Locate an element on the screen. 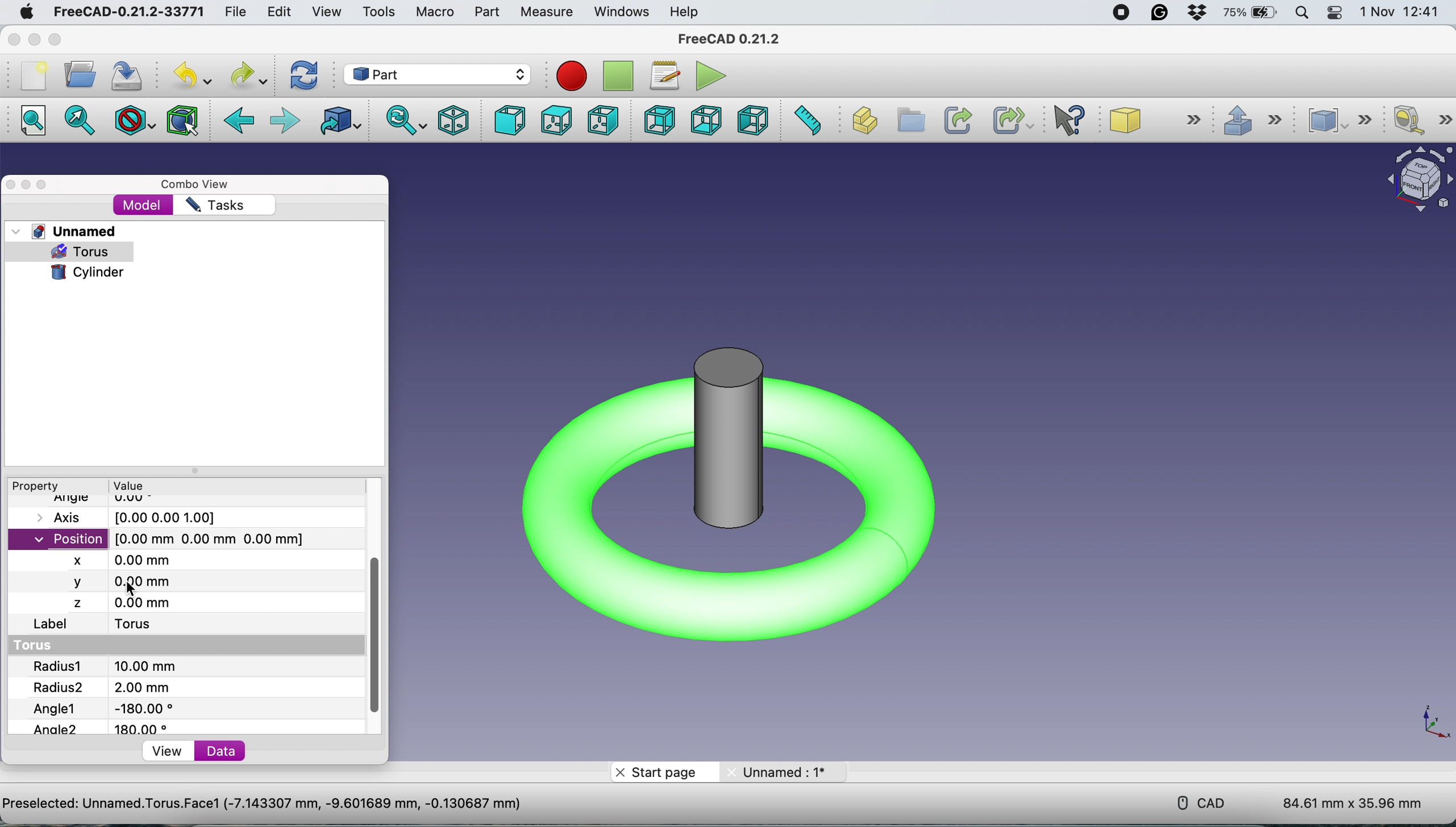 This screenshot has width=1456, height=827. Angle1 and angle2's value is located at coordinates (113, 717).